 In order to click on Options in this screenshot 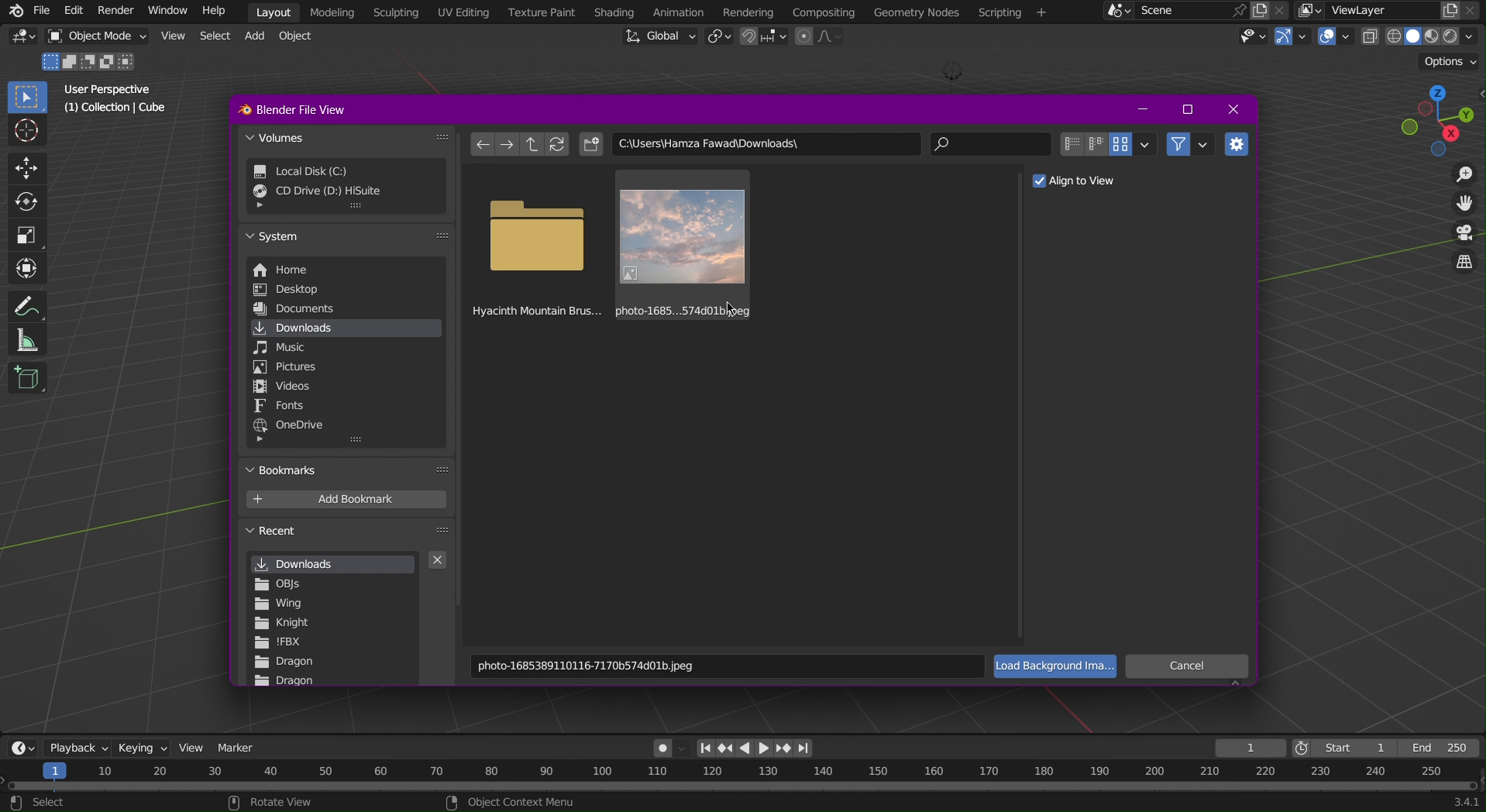, I will do `click(1448, 60)`.